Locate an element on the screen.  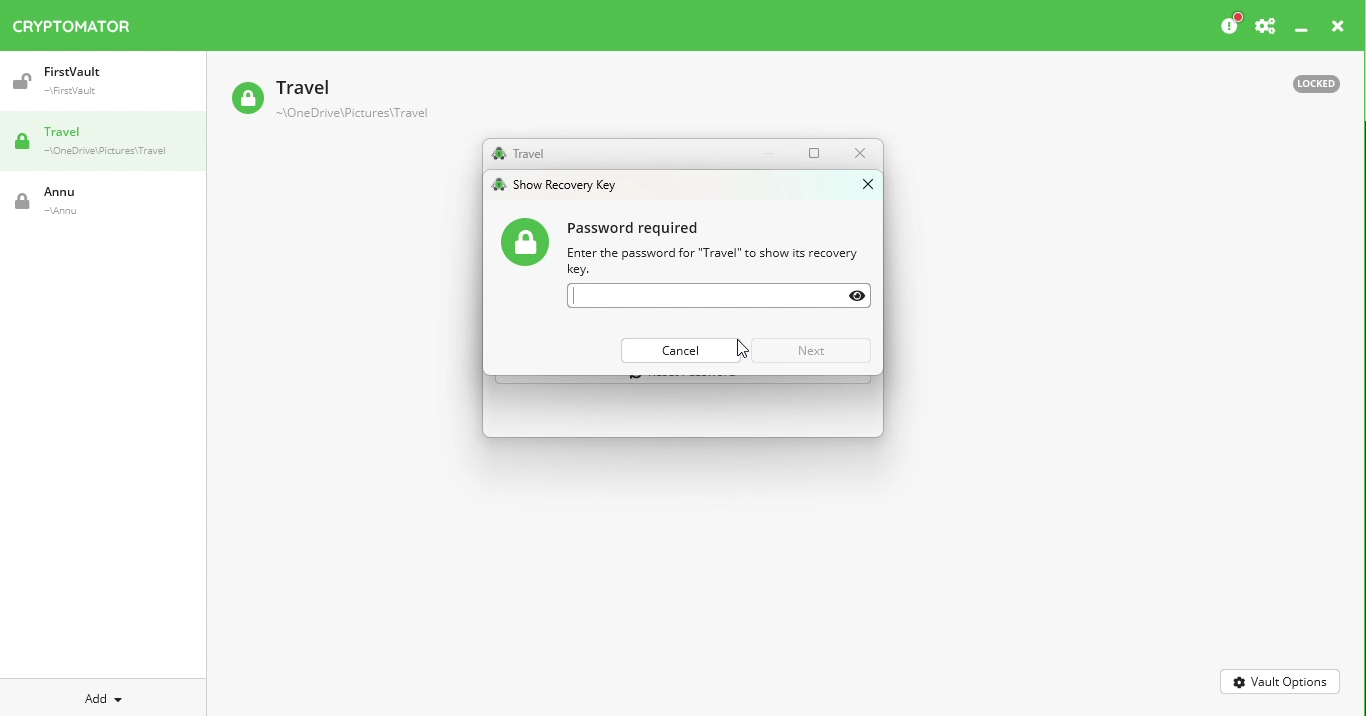
show recovery key is located at coordinates (562, 184).